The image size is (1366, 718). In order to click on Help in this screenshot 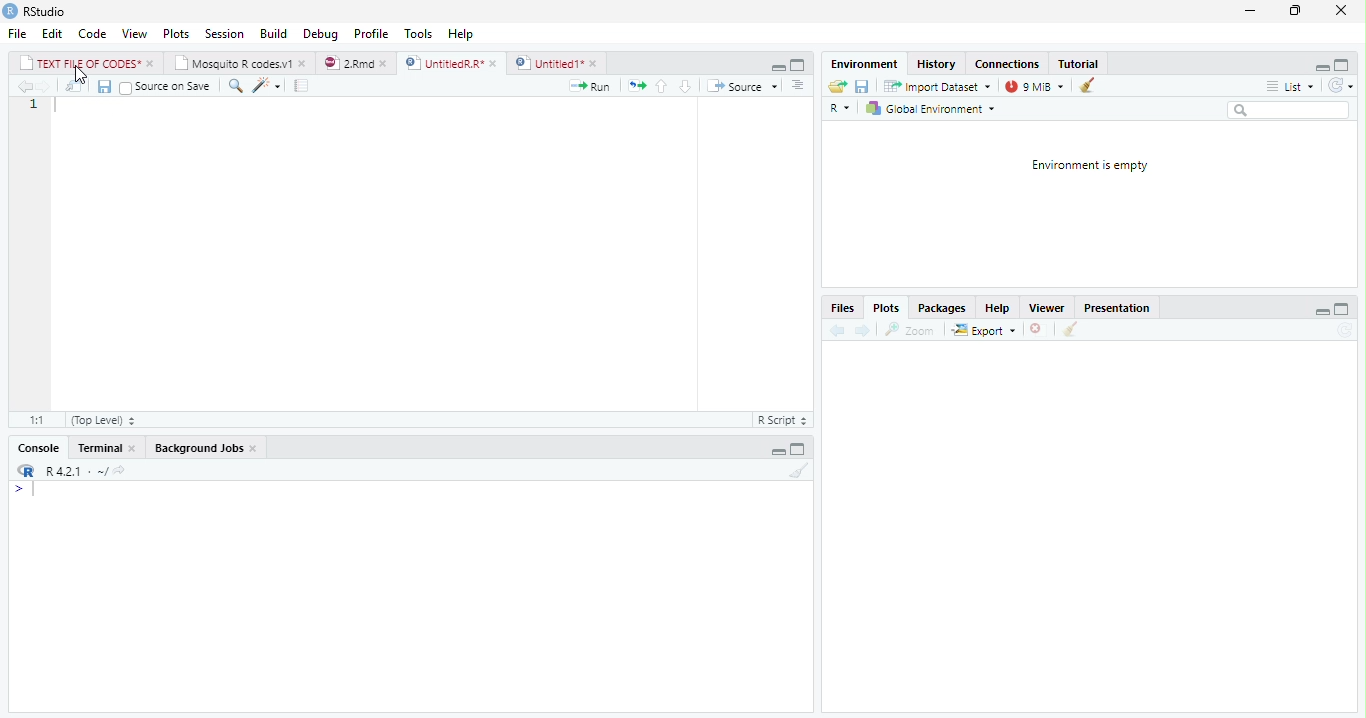, I will do `click(461, 32)`.